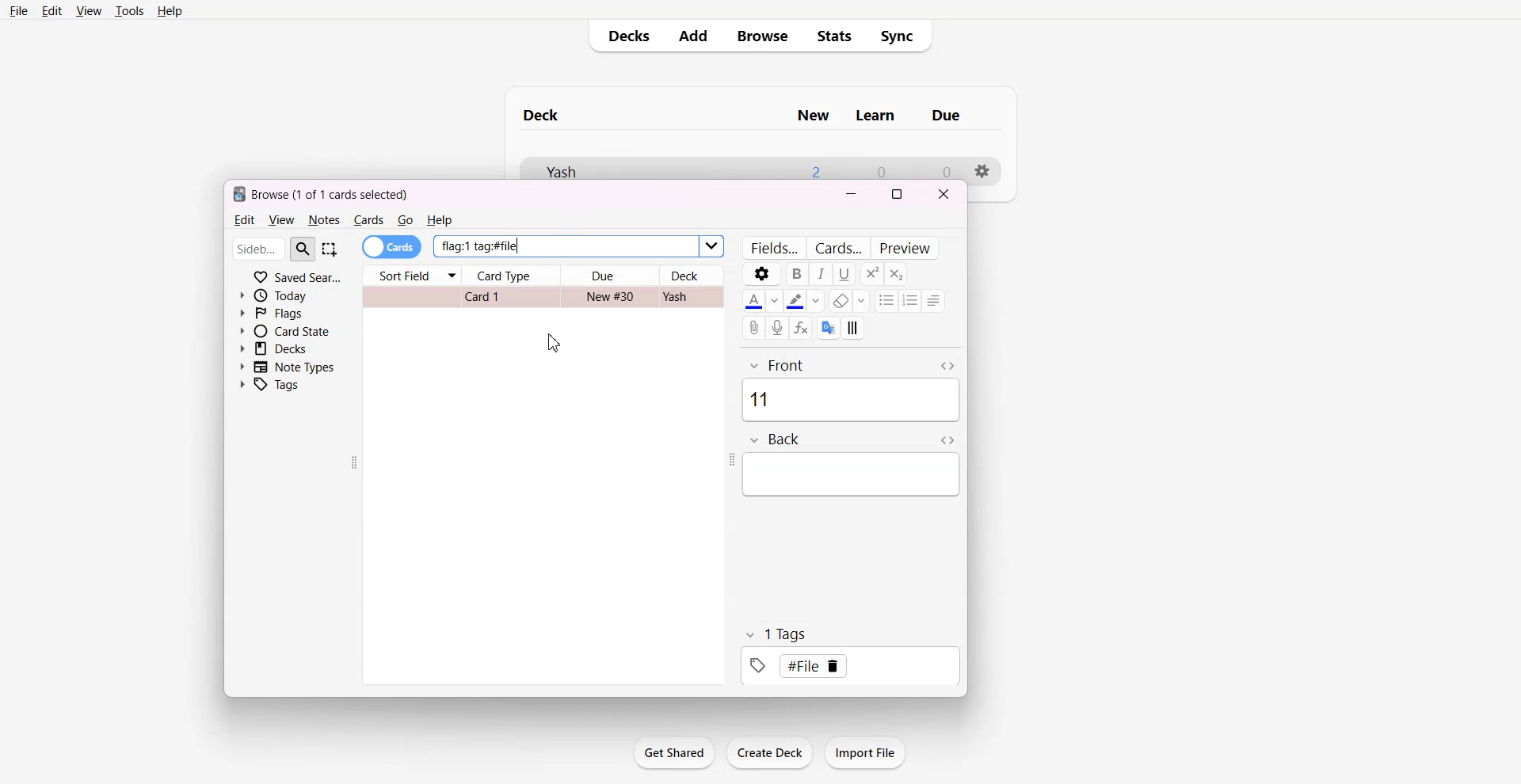 The height and width of the screenshot is (784, 1521). What do you see at coordinates (272, 249) in the screenshot?
I see `Search bar` at bounding box center [272, 249].